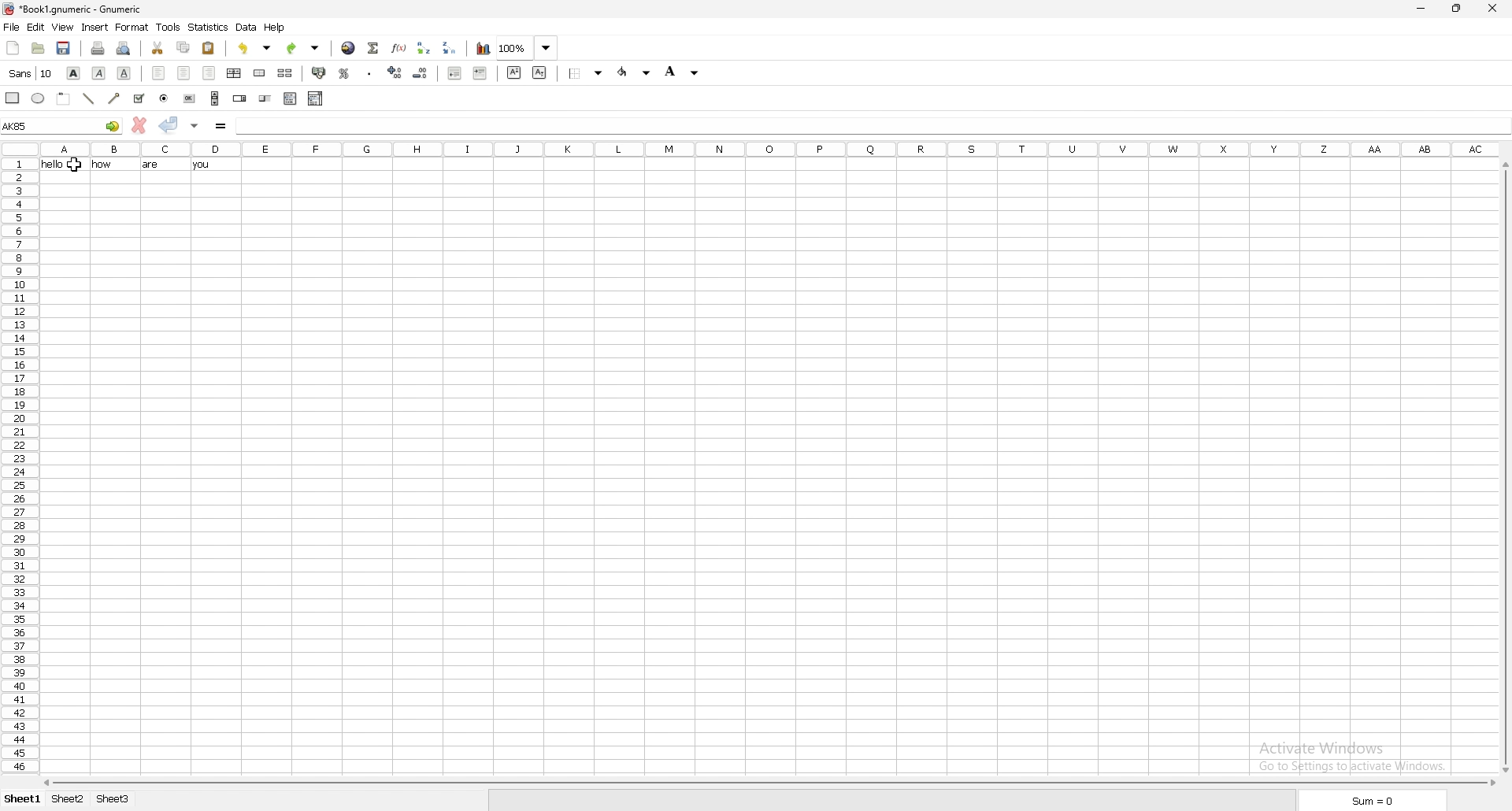 The image size is (1512, 811). What do you see at coordinates (69, 799) in the screenshot?
I see `sheet 2` at bounding box center [69, 799].